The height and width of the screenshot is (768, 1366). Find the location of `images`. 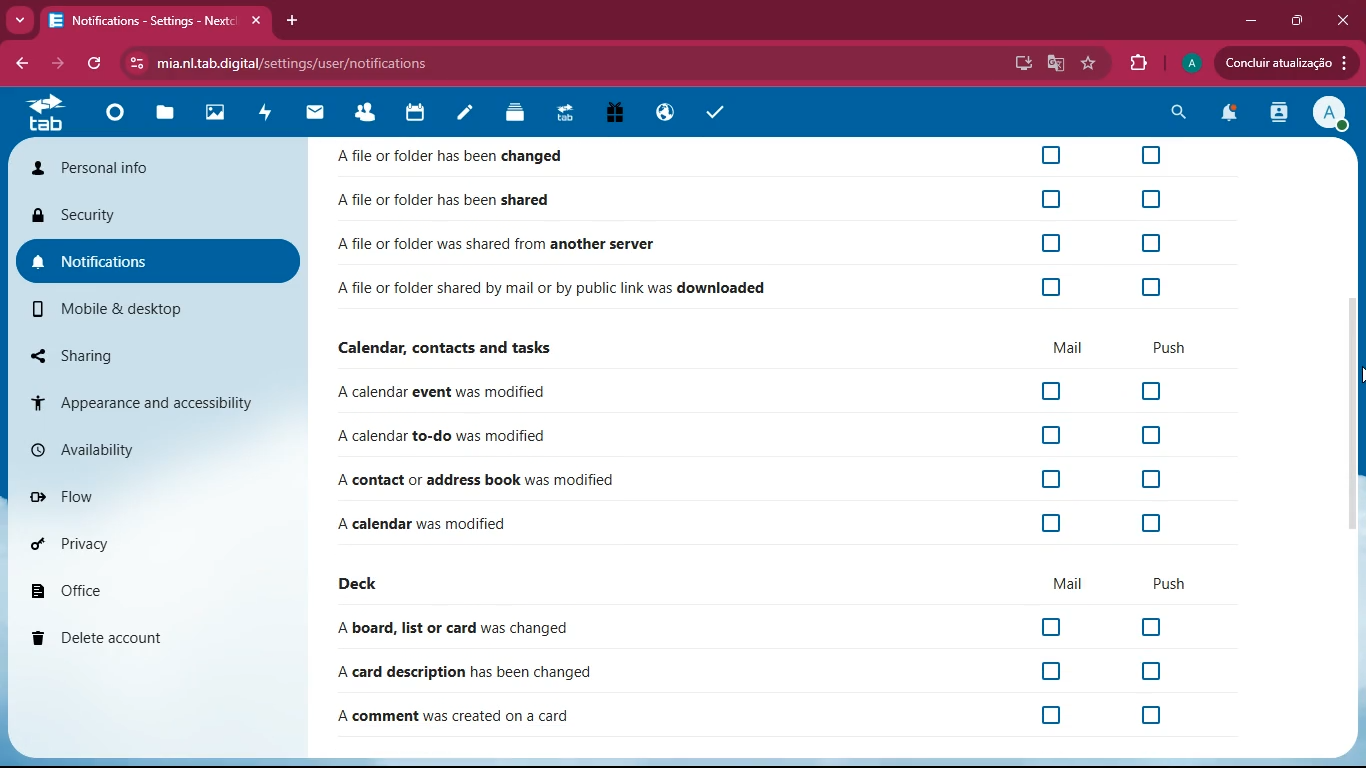

images is located at coordinates (213, 112).